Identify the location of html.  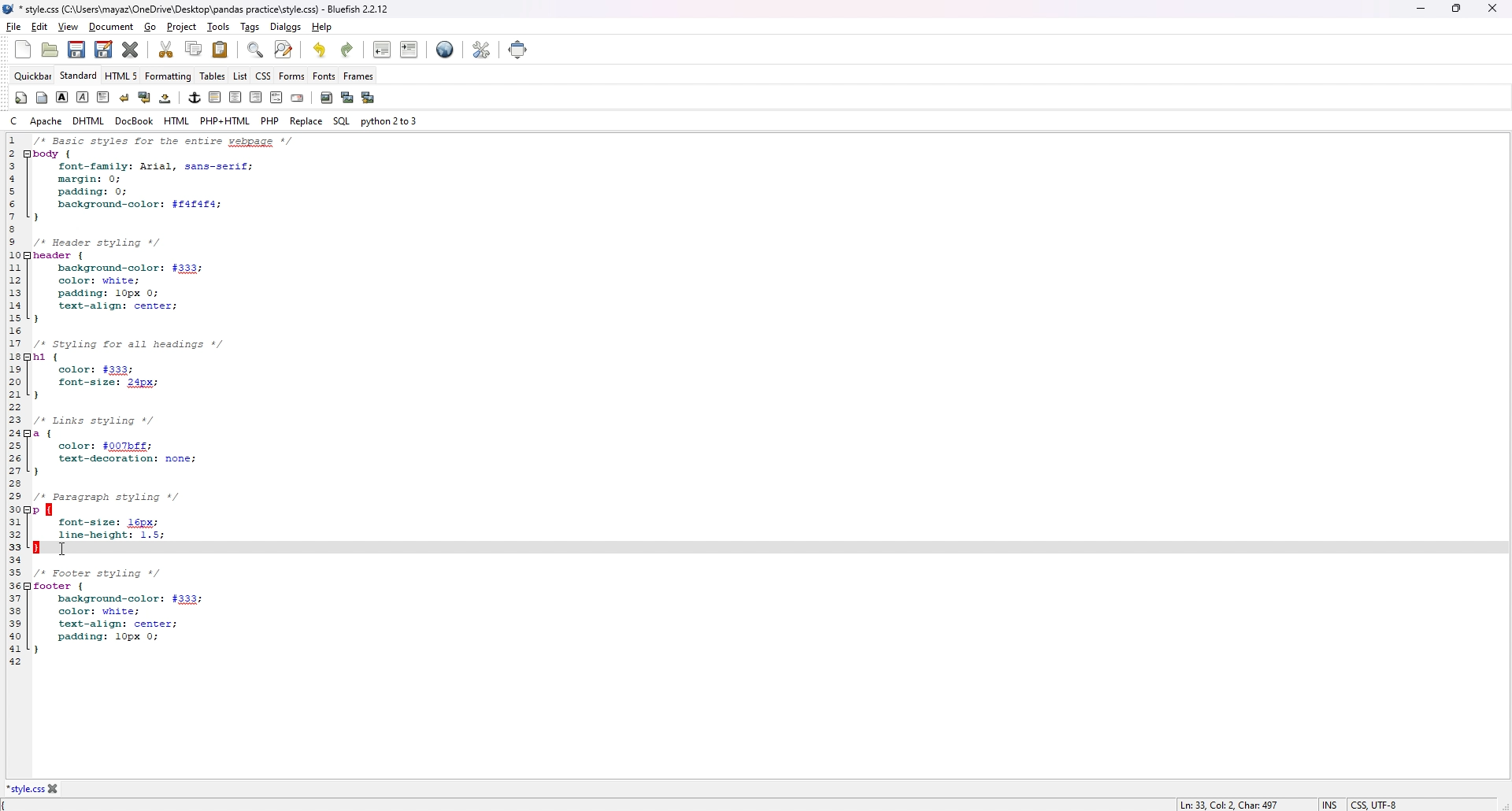
(177, 120).